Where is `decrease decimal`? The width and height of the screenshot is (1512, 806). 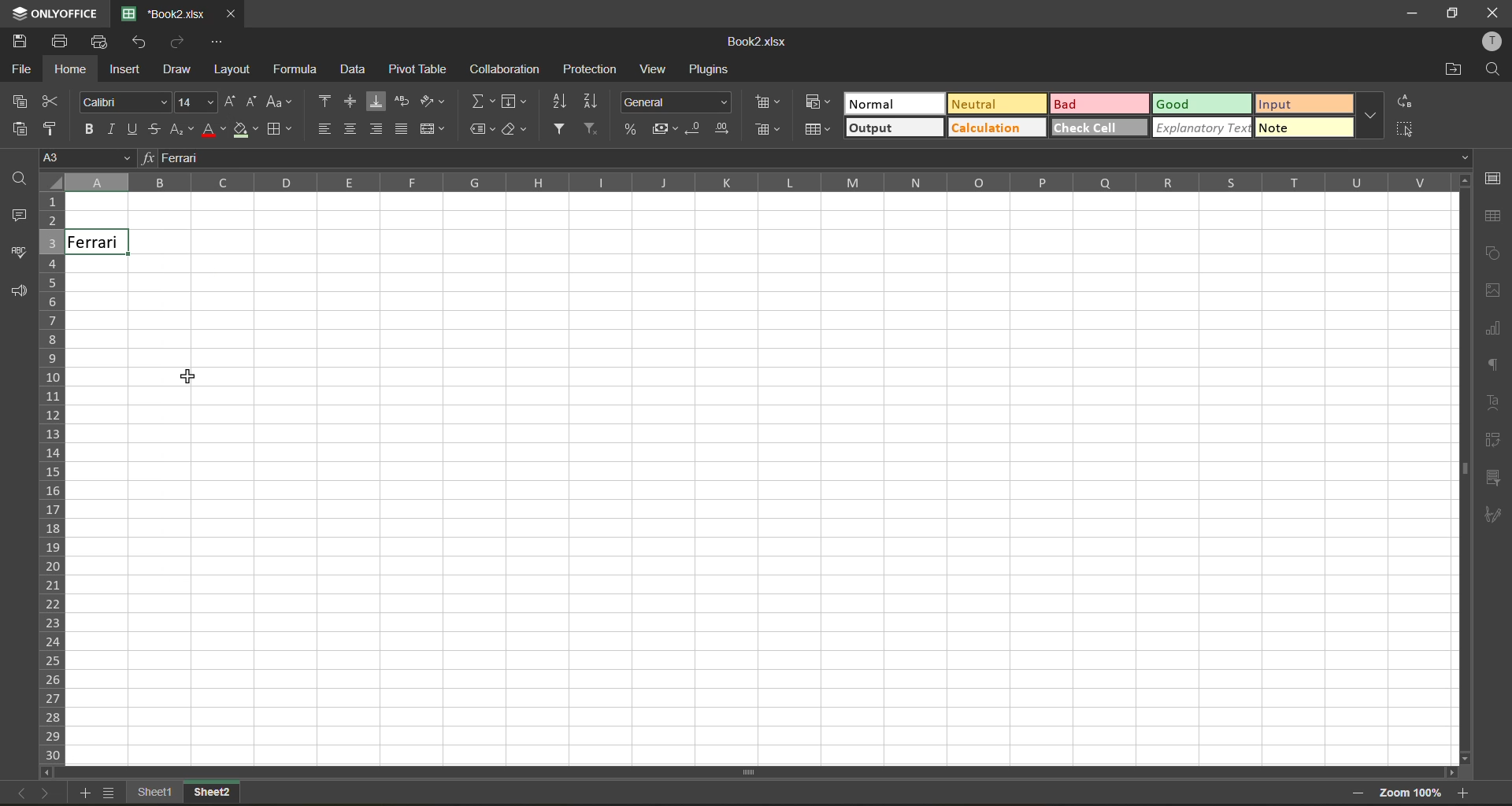 decrease decimal is located at coordinates (691, 128).